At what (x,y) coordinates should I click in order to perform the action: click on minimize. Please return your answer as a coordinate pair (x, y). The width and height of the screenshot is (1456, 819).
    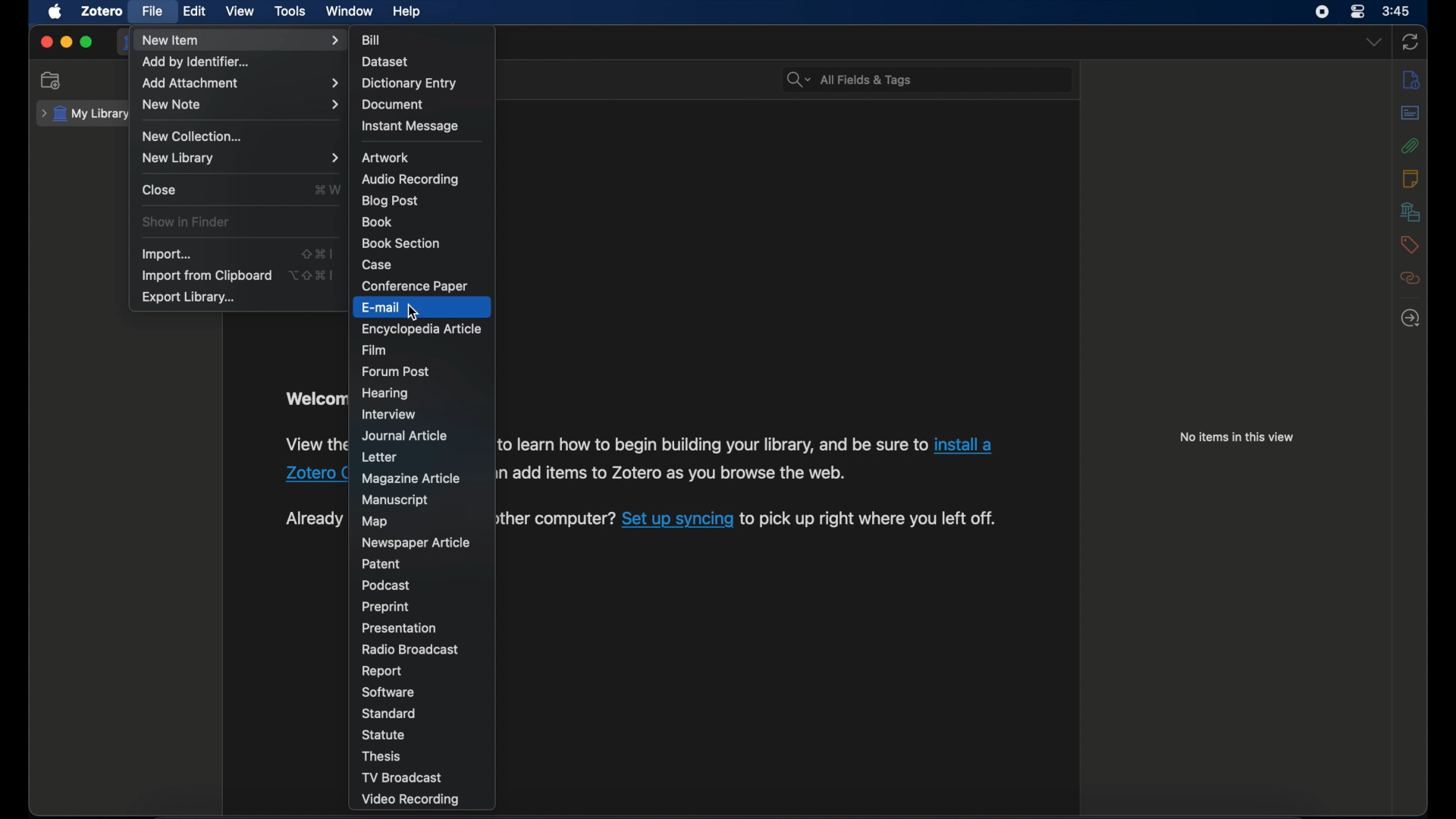
    Looking at the image, I should click on (67, 42).